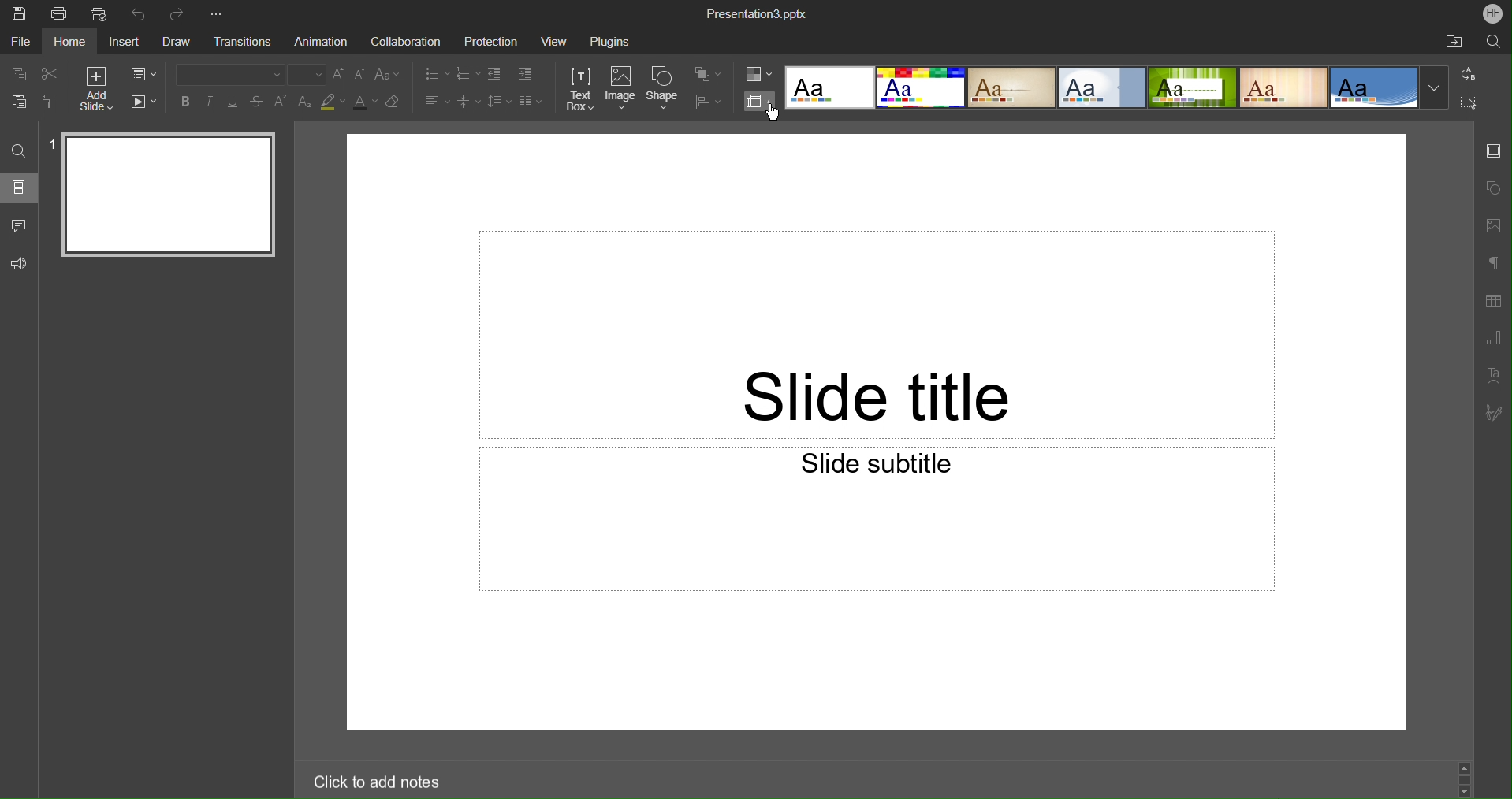  Describe the element at coordinates (365, 104) in the screenshot. I see `Text Color` at that location.